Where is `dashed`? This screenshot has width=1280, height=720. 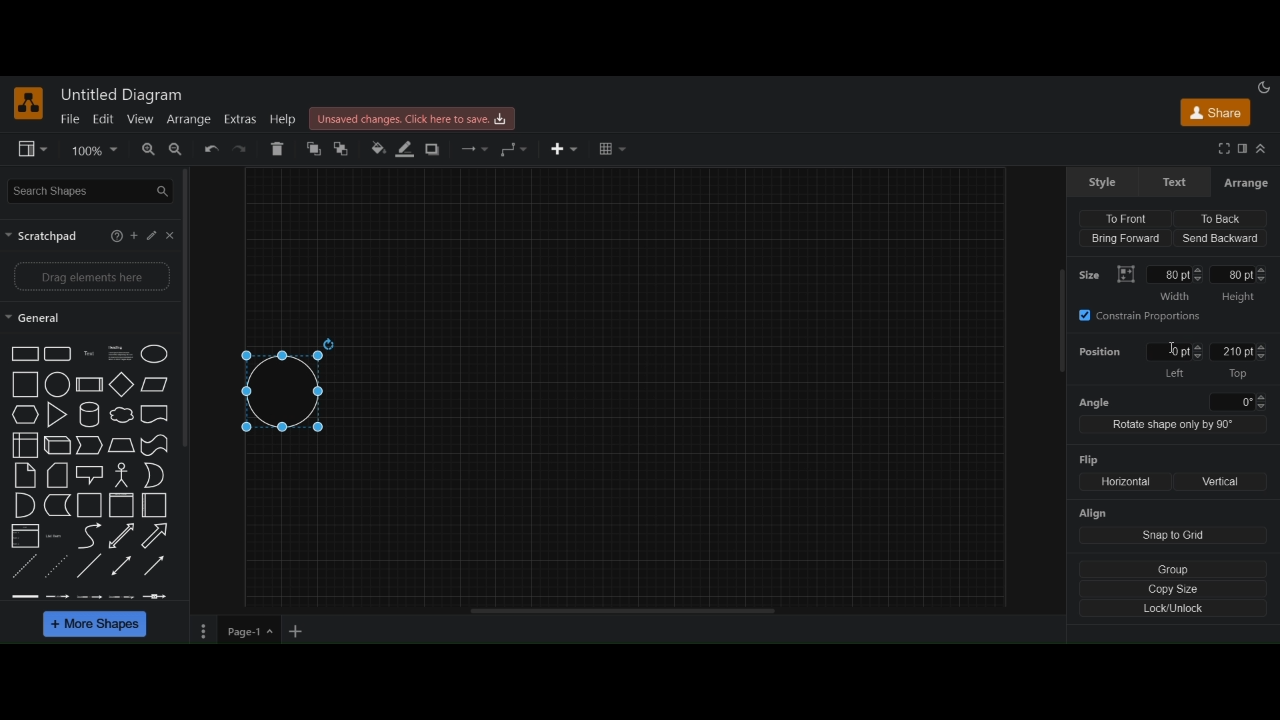
dashed is located at coordinates (87, 596).